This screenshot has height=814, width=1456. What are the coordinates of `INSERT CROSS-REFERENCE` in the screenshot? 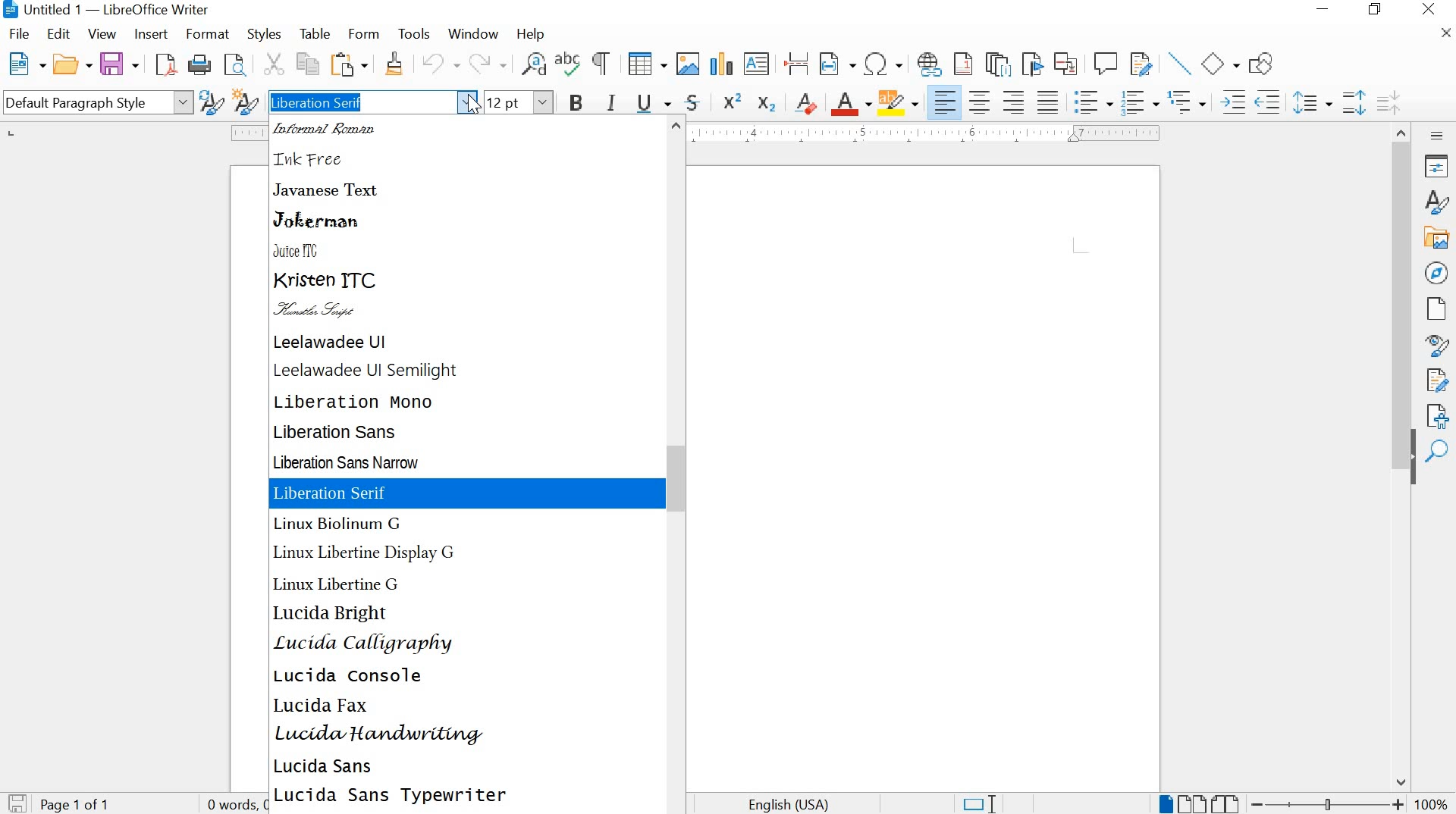 It's located at (1069, 63).